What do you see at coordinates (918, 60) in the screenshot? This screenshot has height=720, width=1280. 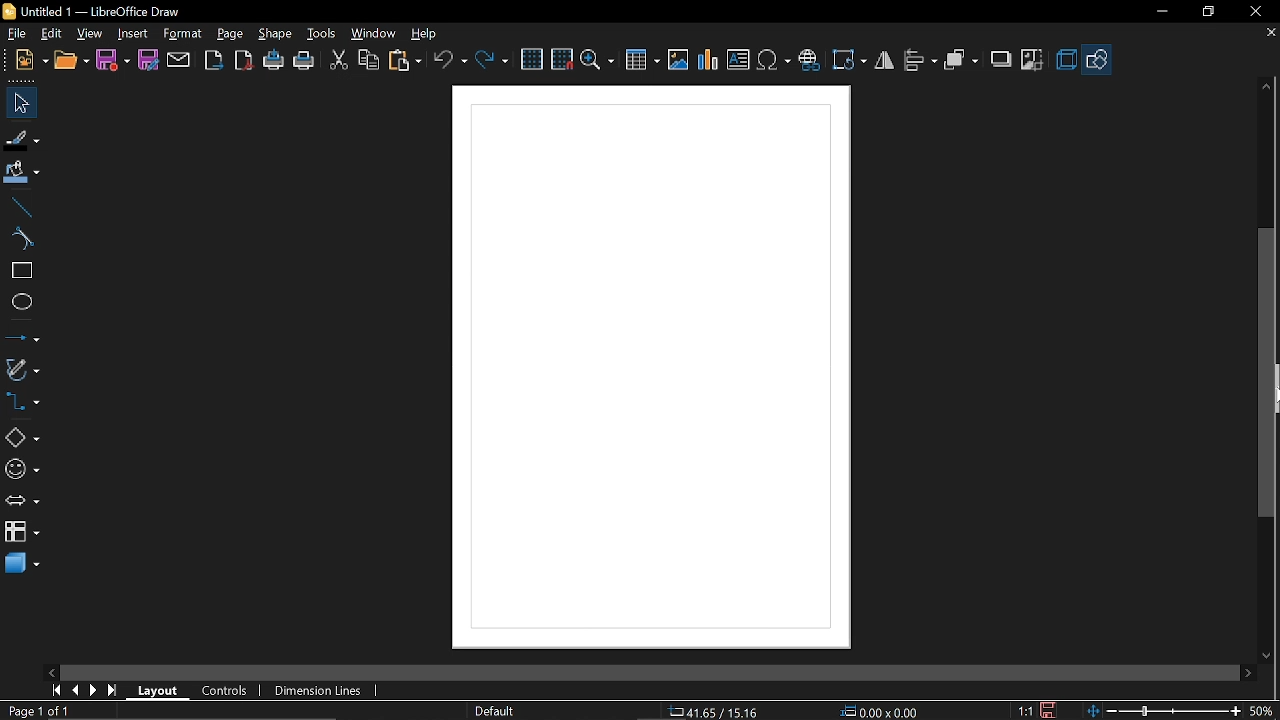 I see `align` at bounding box center [918, 60].